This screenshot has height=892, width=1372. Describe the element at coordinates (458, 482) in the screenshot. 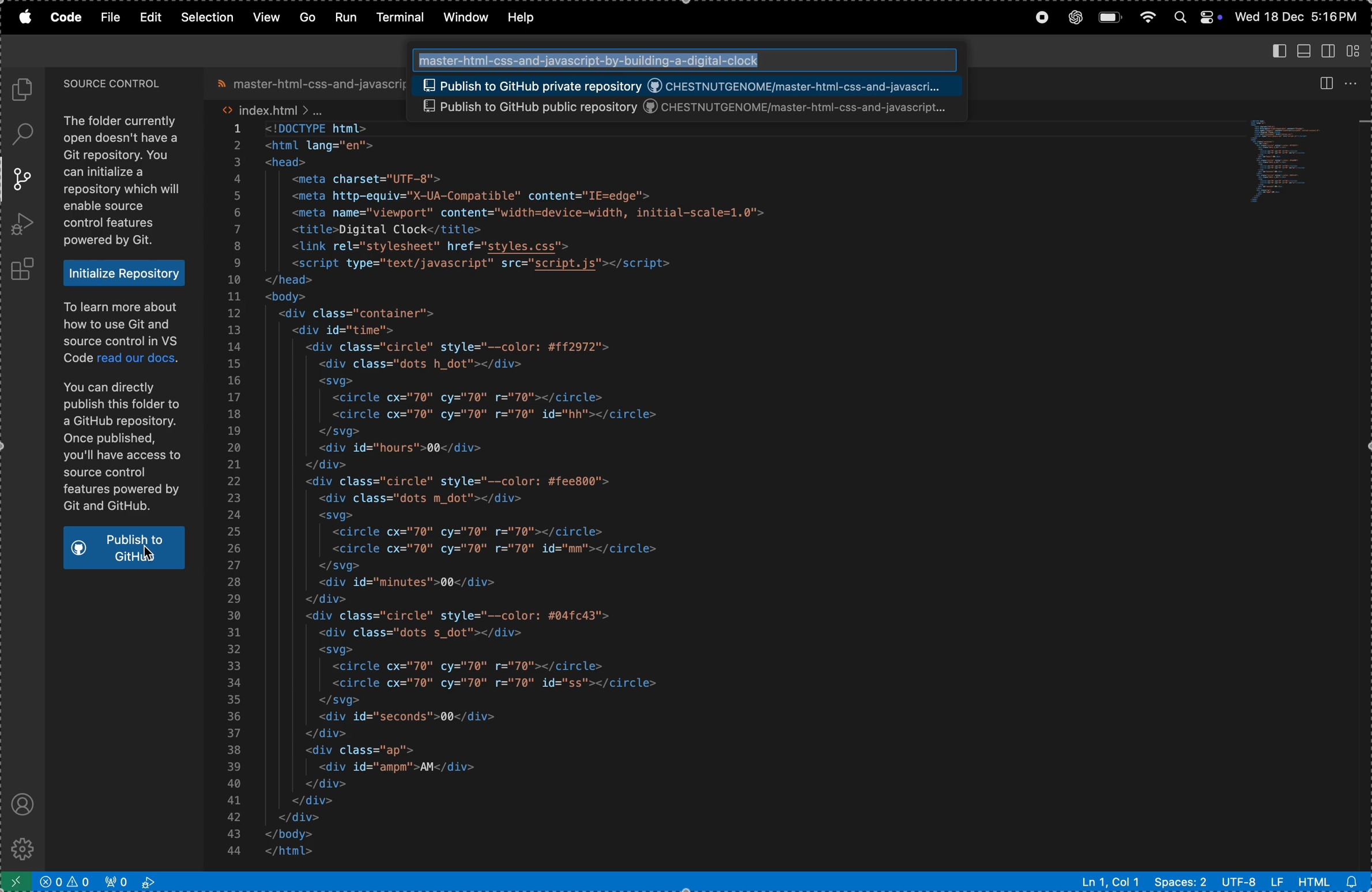

I see `<div class="circle" style="--color: #fee800">` at that location.